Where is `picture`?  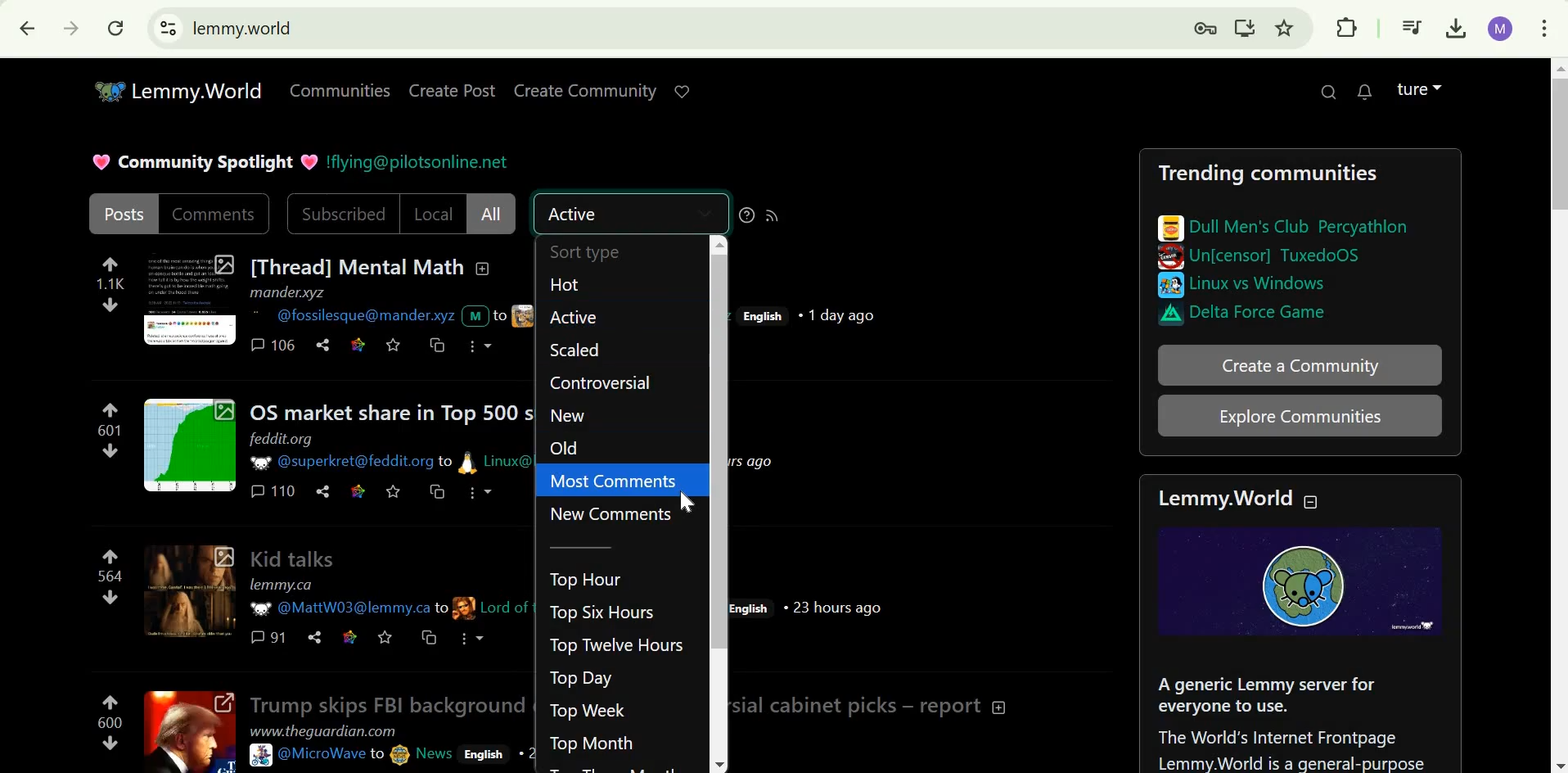 picture is located at coordinates (464, 607).